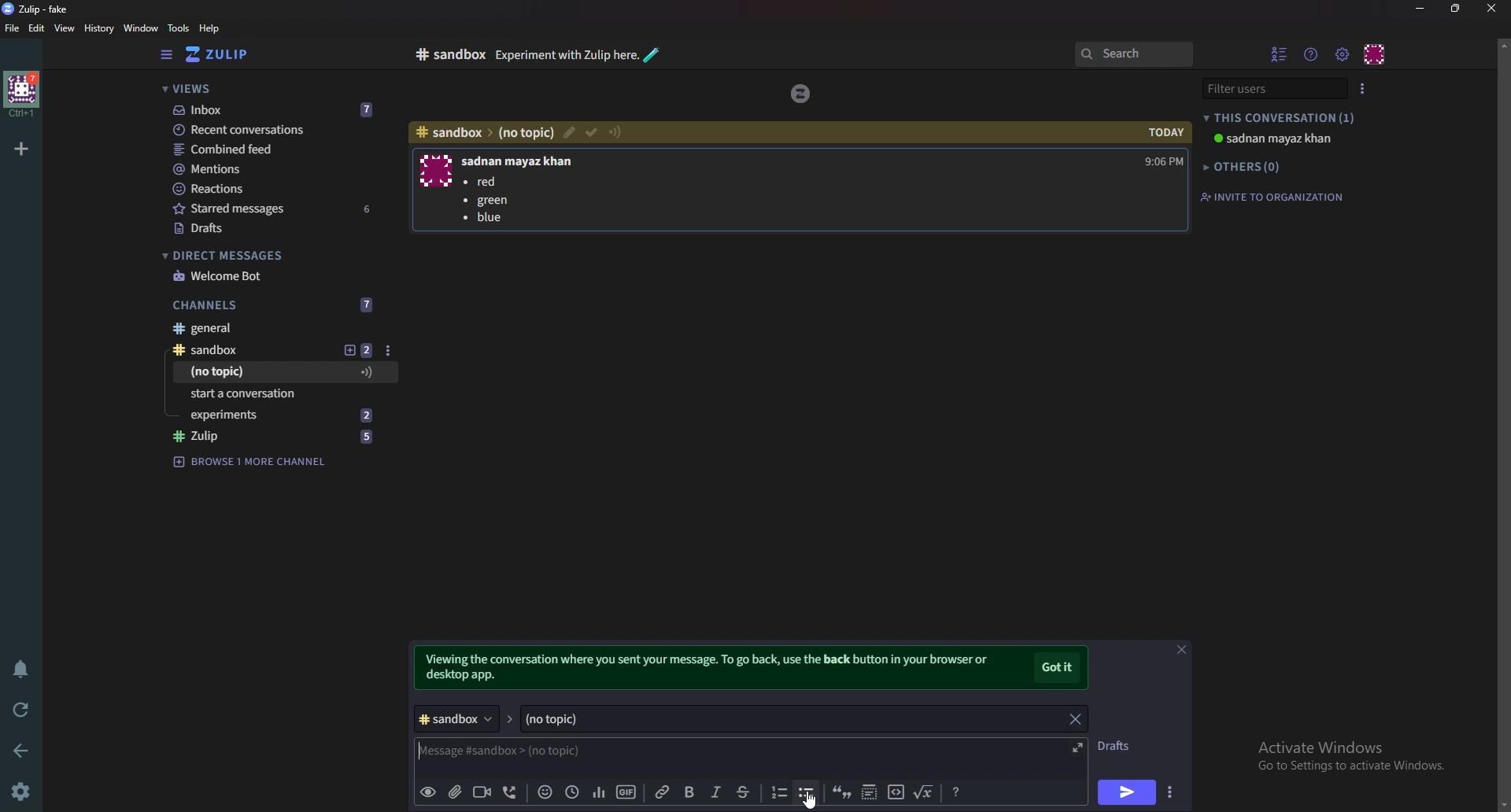 The height and width of the screenshot is (812, 1511). What do you see at coordinates (276, 169) in the screenshot?
I see `Mentions` at bounding box center [276, 169].